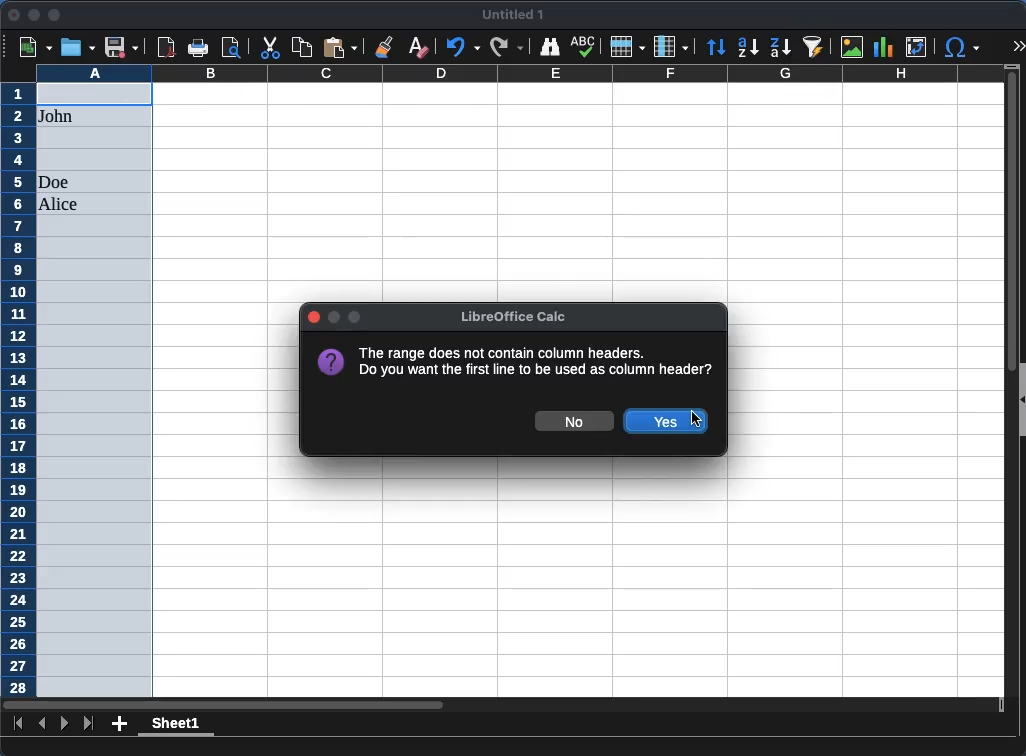  What do you see at coordinates (63, 723) in the screenshot?
I see `next sheet` at bounding box center [63, 723].